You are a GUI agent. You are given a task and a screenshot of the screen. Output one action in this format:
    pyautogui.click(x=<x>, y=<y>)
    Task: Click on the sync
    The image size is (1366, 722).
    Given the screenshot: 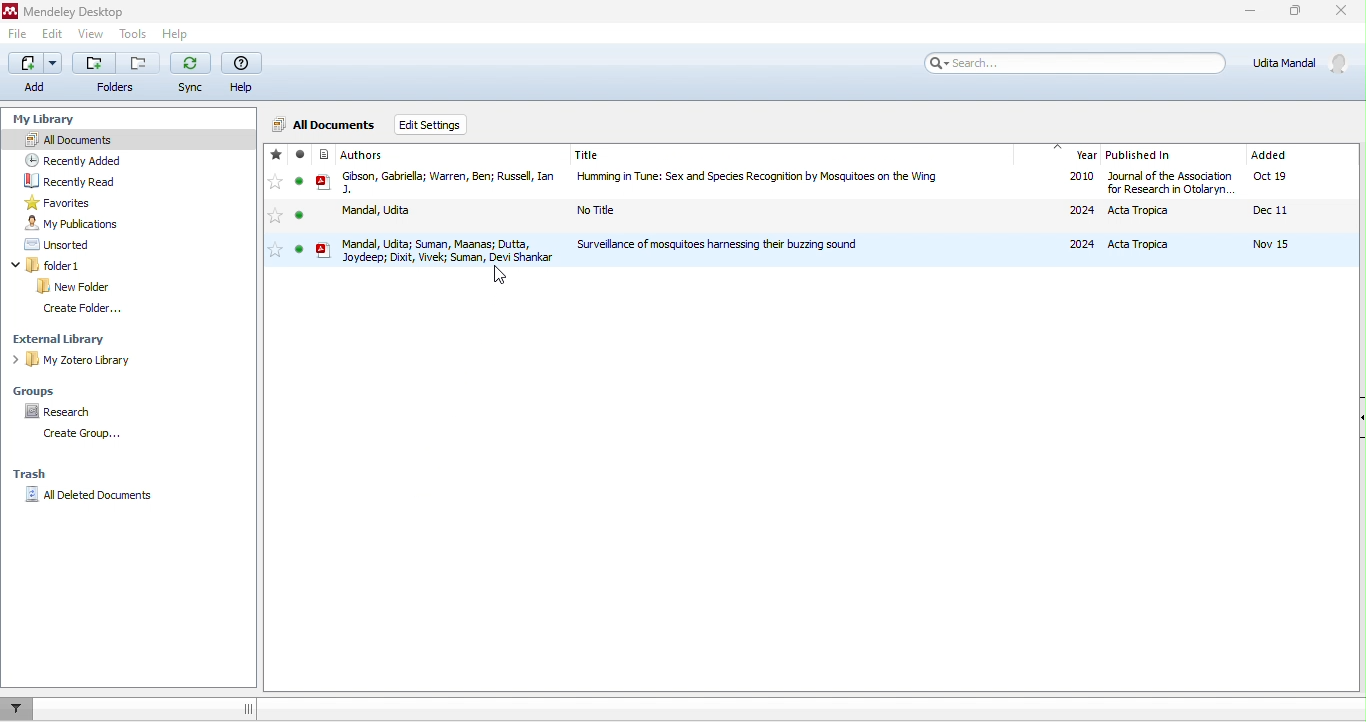 What is the action you would take?
    pyautogui.click(x=192, y=73)
    